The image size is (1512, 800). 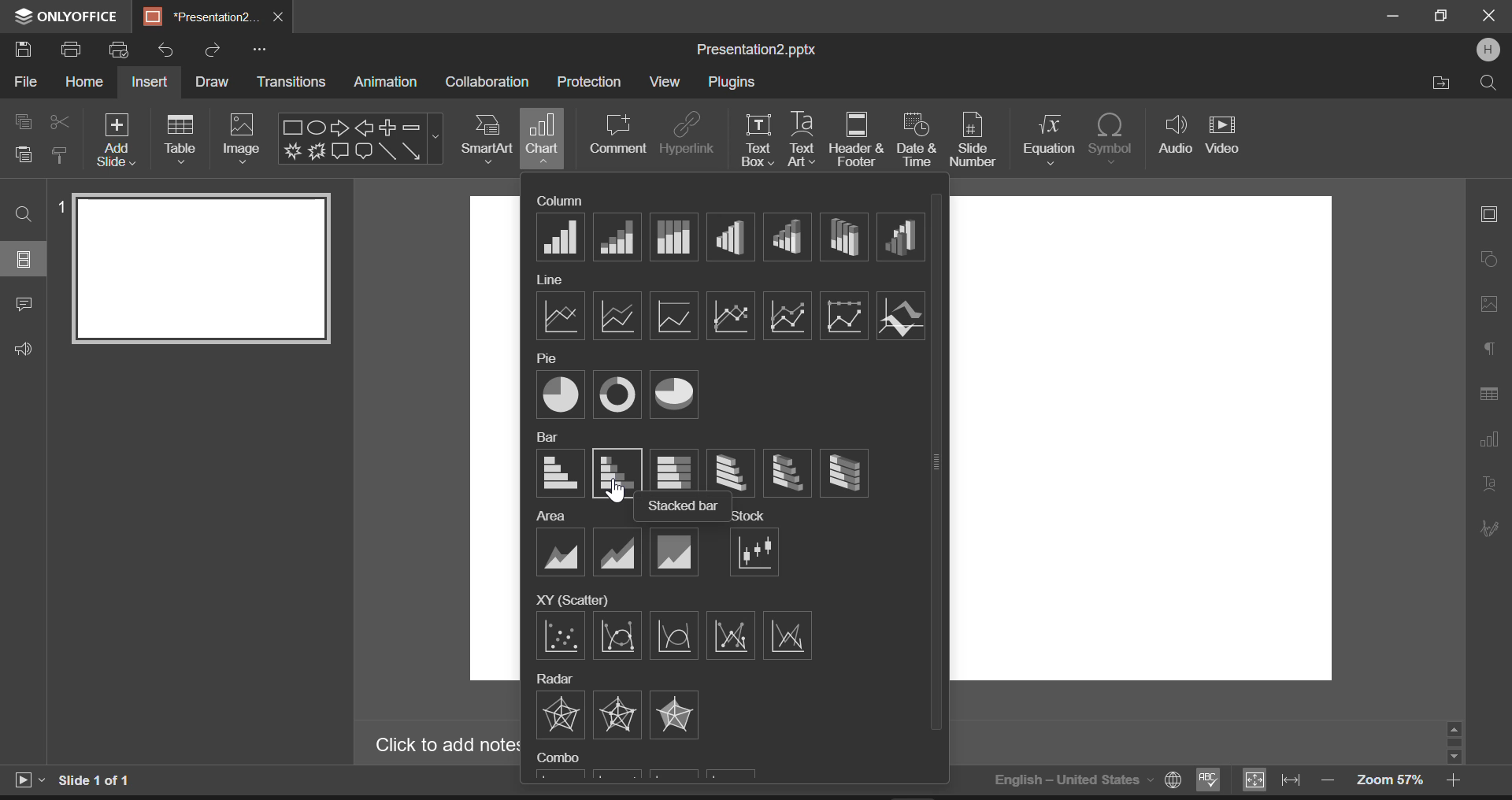 What do you see at coordinates (25, 259) in the screenshot?
I see `Slides` at bounding box center [25, 259].